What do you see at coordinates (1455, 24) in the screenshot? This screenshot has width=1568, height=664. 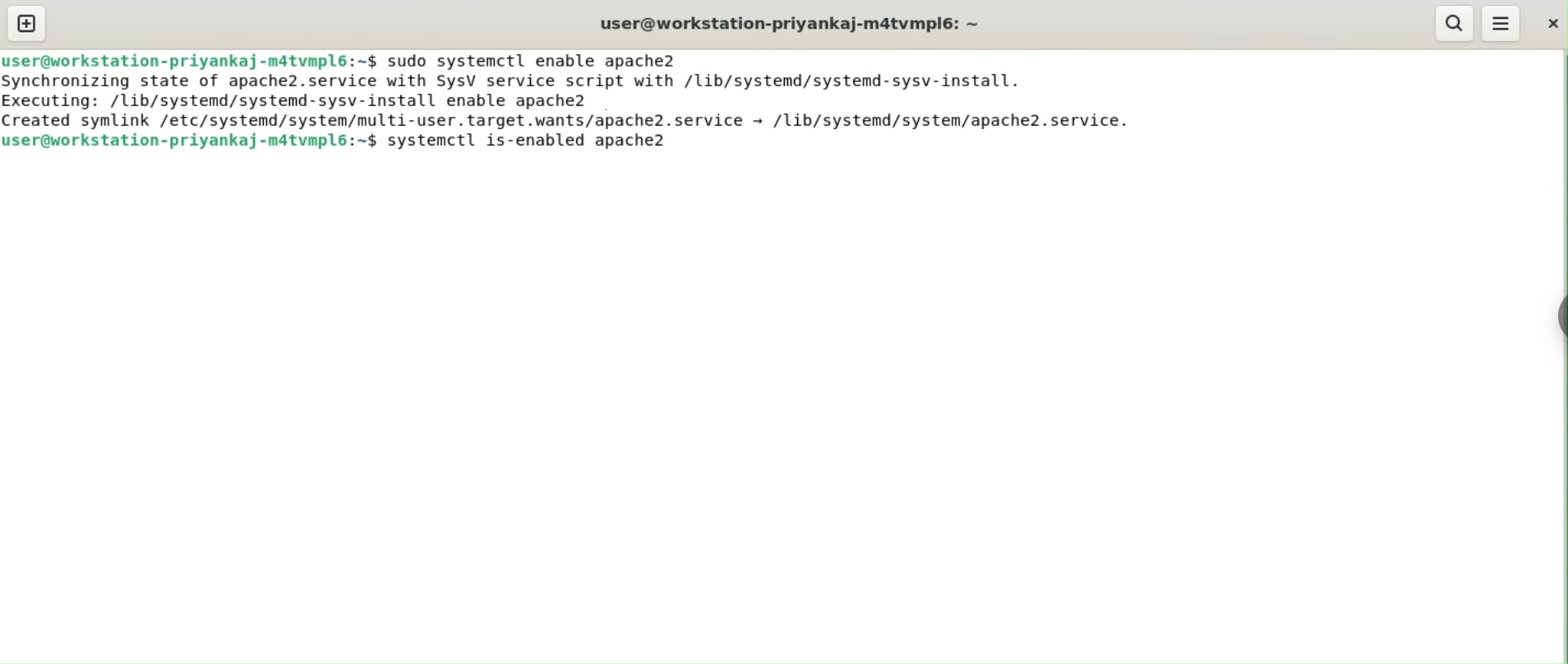 I see `search` at bounding box center [1455, 24].